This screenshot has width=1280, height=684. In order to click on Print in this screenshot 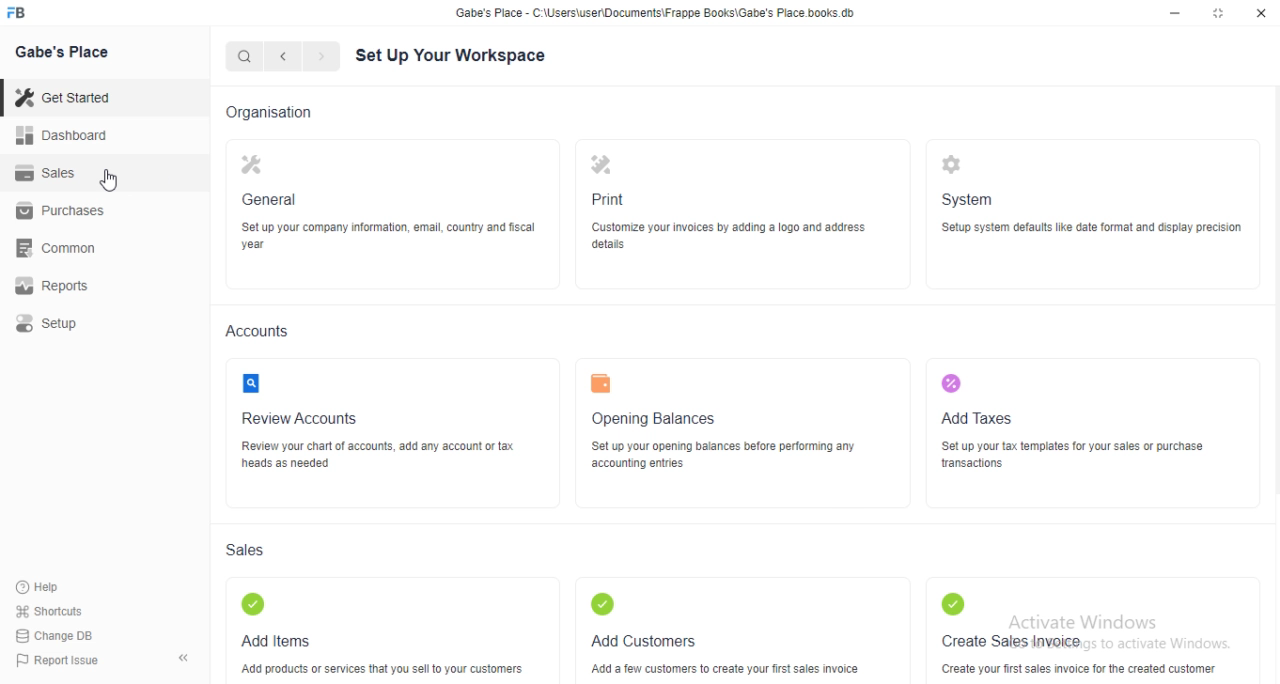, I will do `click(607, 199)`.